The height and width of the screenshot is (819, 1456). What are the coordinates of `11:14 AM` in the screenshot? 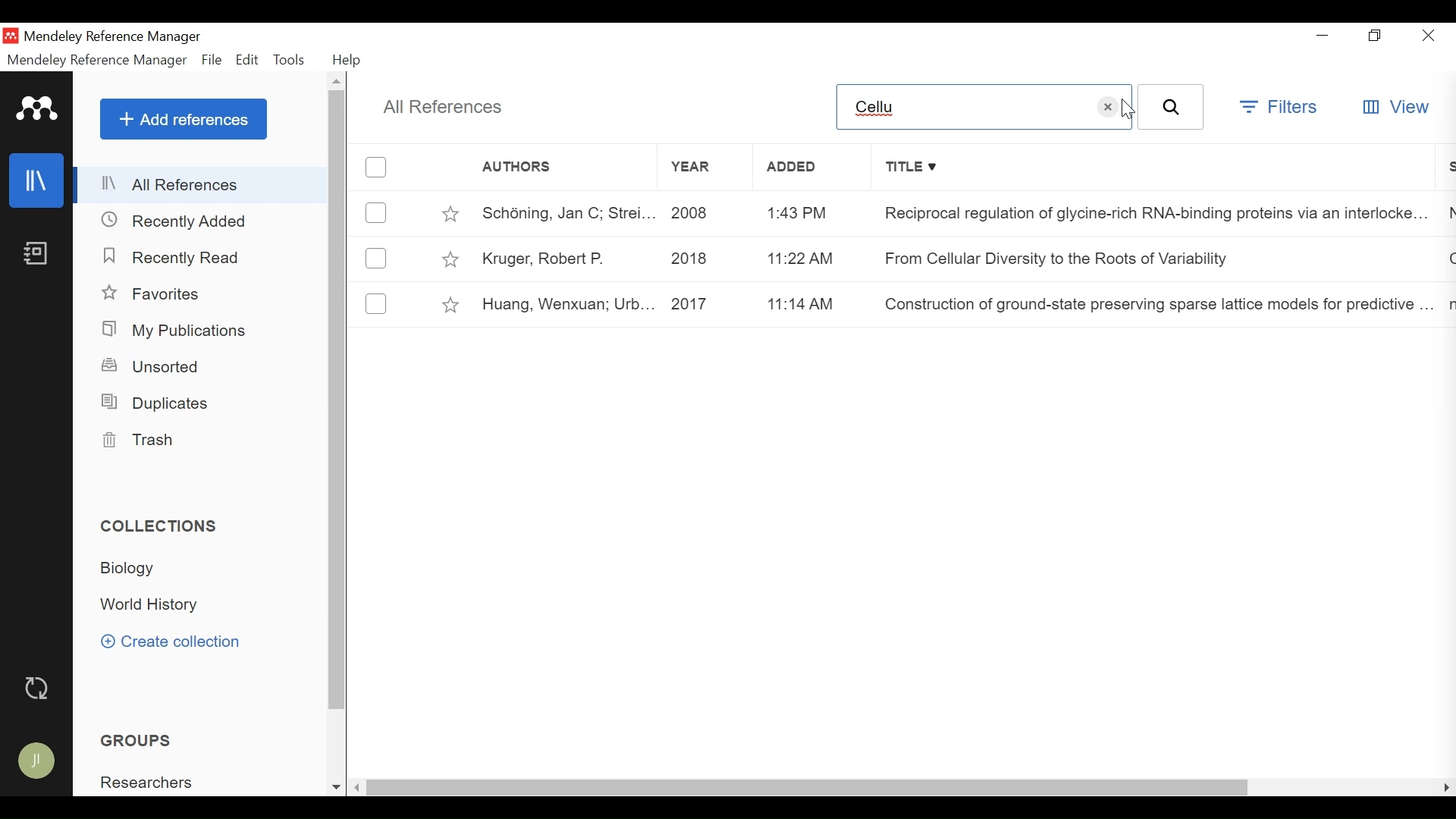 It's located at (816, 304).